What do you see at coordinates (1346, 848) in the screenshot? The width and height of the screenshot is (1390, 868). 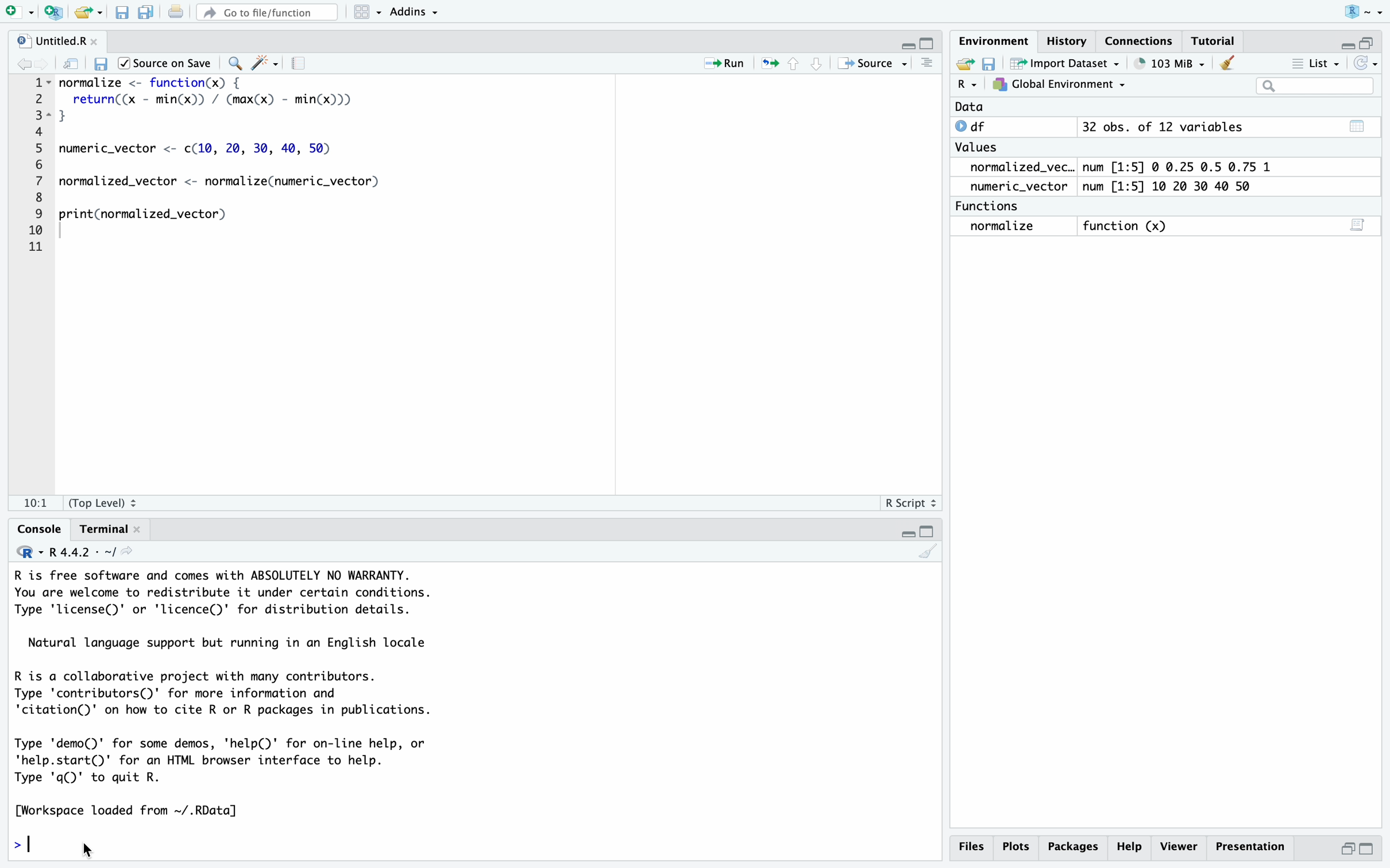 I see `Minimize` at bounding box center [1346, 848].